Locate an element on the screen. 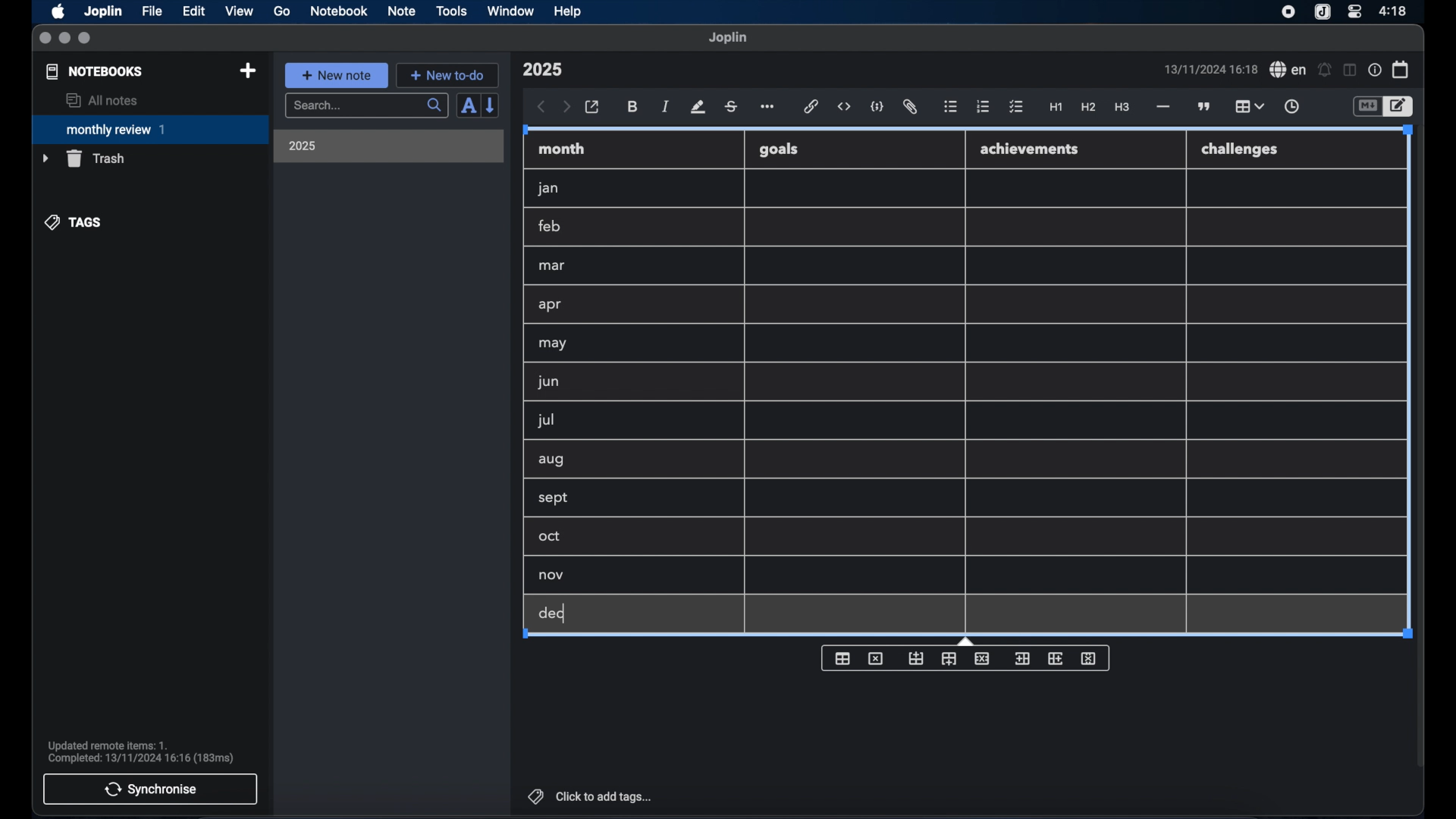 This screenshot has width=1456, height=819. block quotes is located at coordinates (1205, 107).